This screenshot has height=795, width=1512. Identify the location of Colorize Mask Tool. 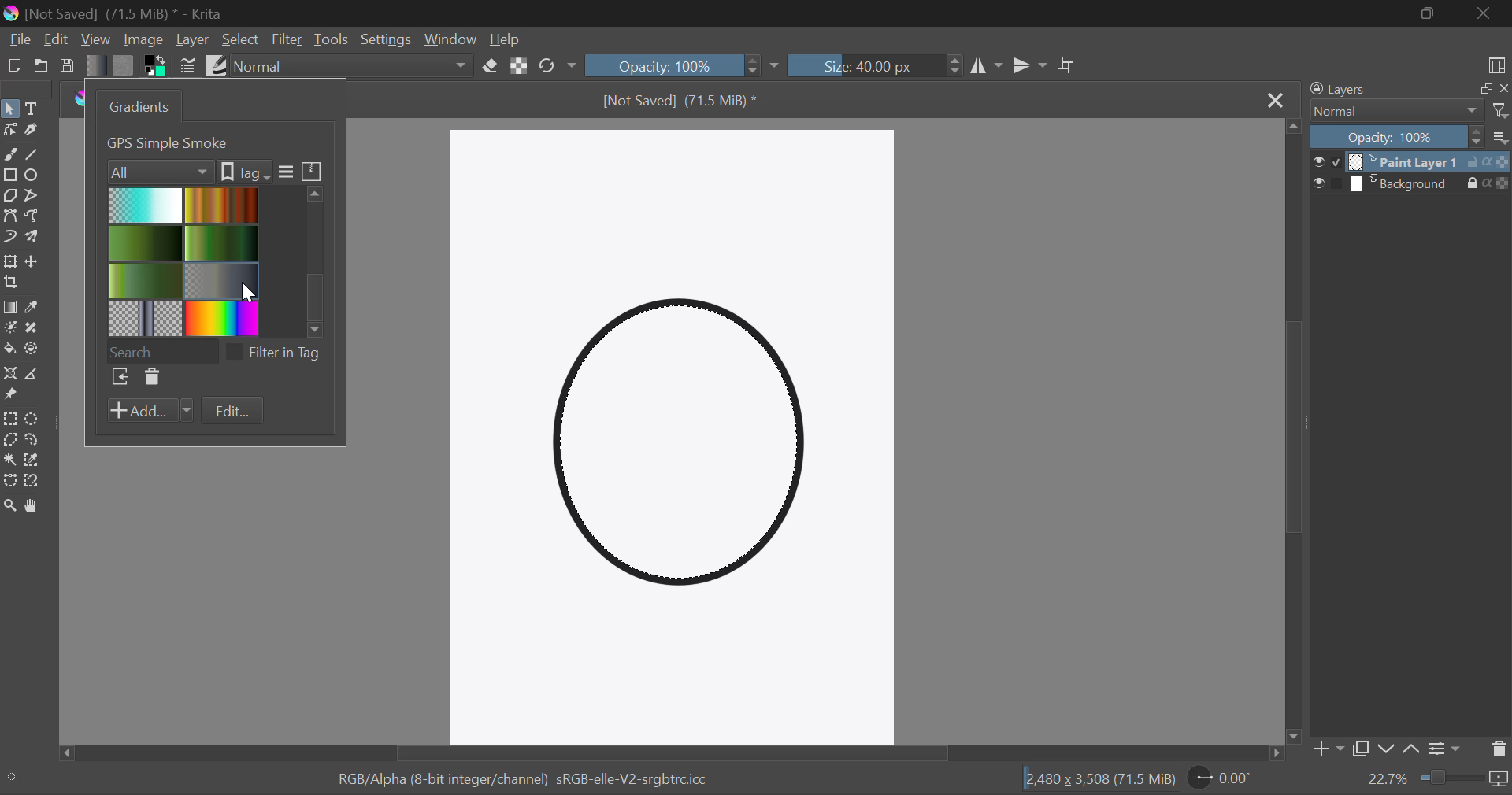
(10, 331).